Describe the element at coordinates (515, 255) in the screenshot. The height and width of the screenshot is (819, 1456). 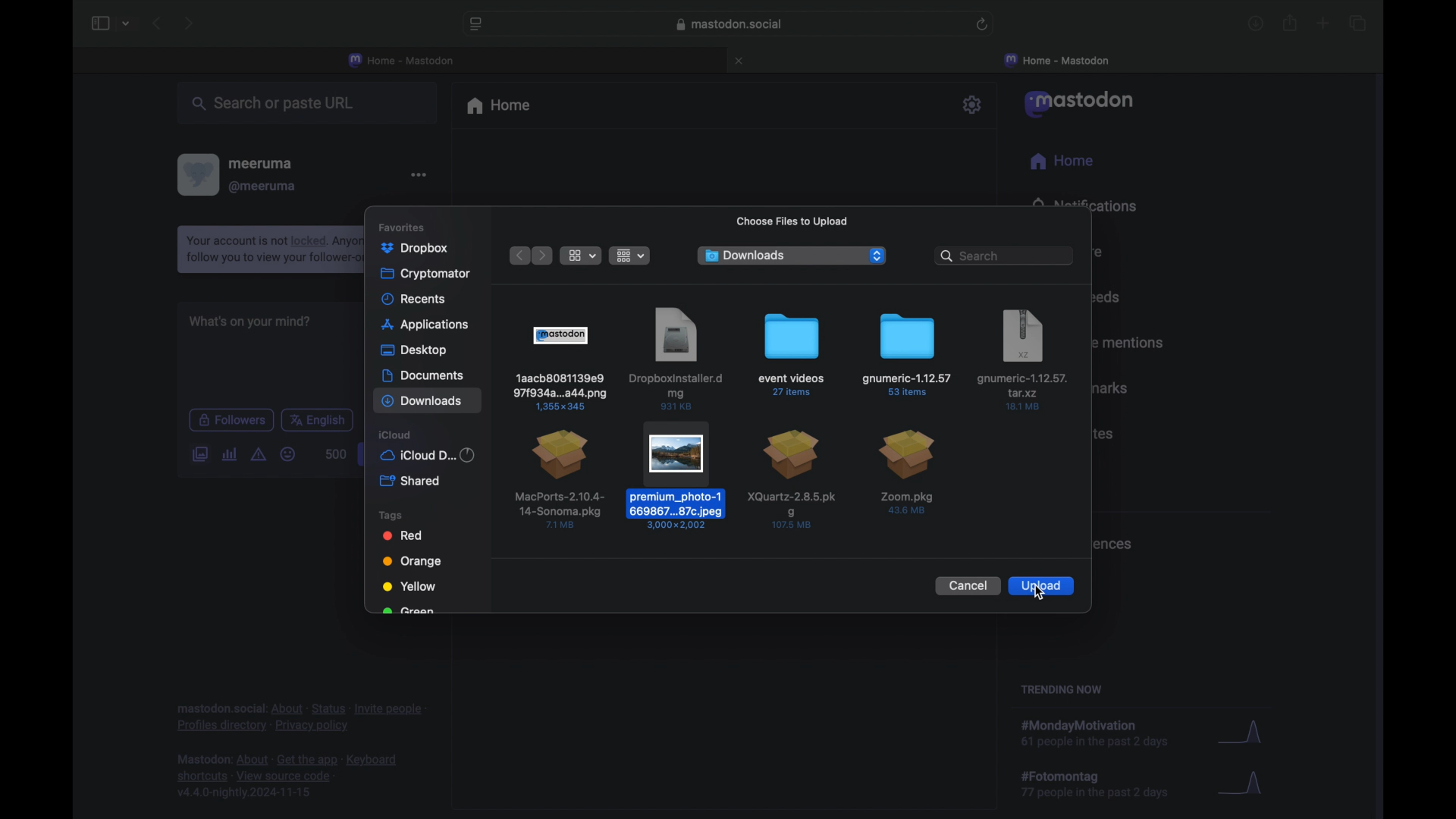
I see `previous` at that location.